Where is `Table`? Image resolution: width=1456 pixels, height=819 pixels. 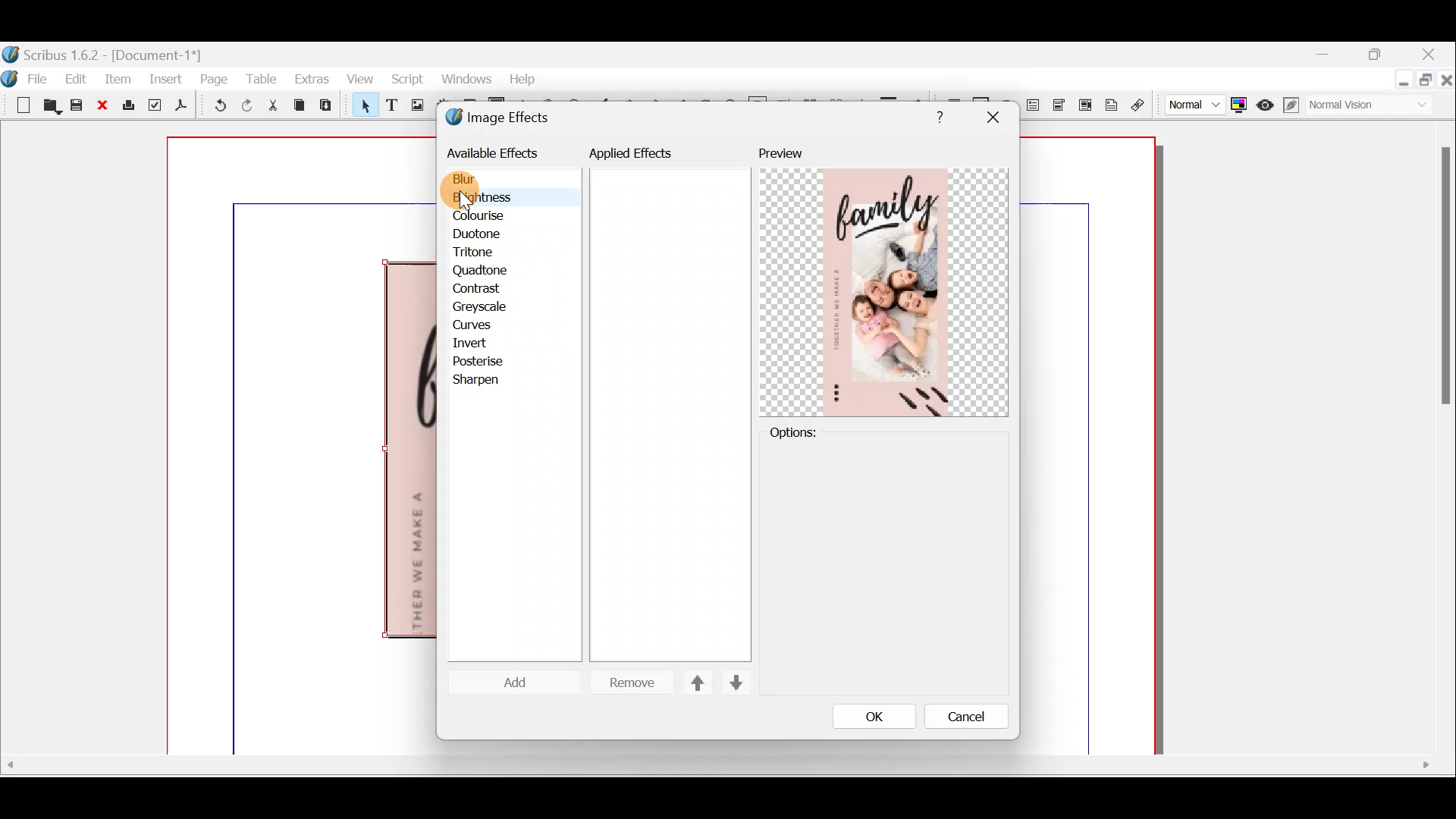 Table is located at coordinates (261, 78).